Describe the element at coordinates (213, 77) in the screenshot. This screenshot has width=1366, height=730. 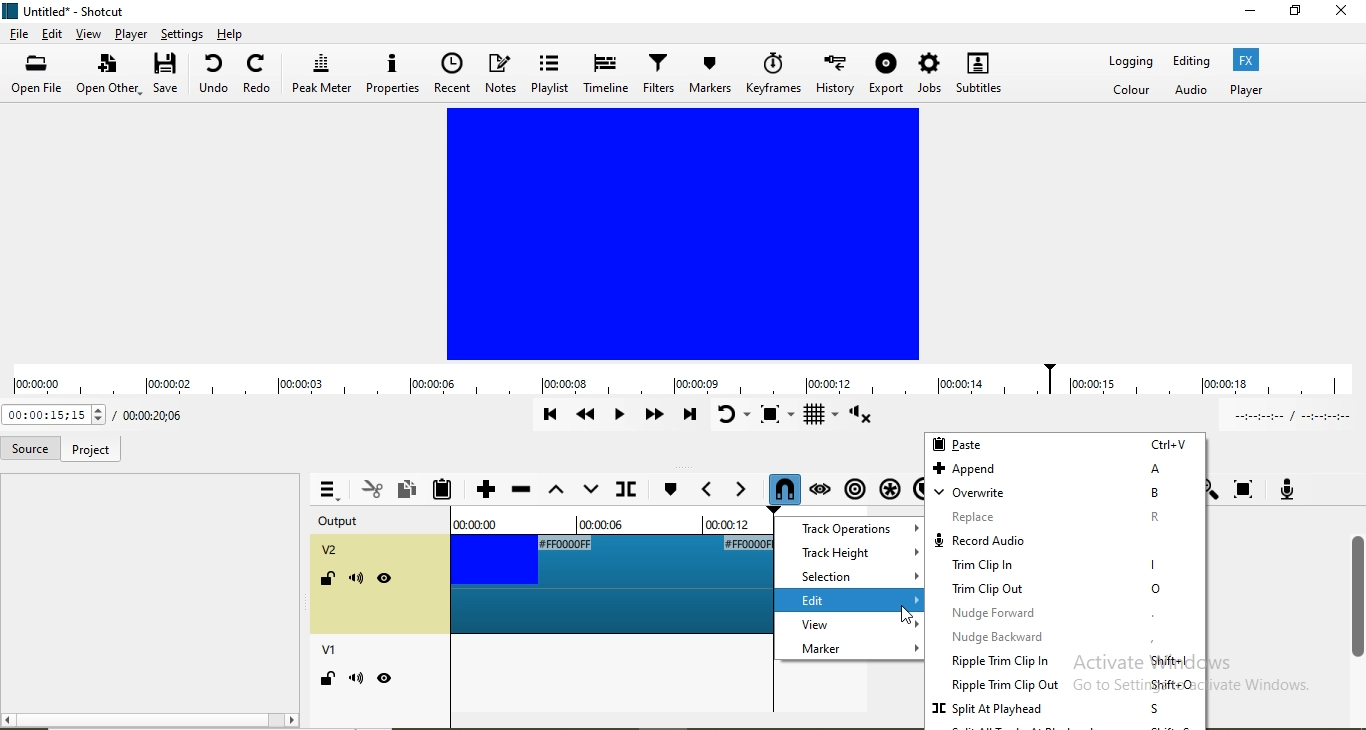
I see `undo` at that location.